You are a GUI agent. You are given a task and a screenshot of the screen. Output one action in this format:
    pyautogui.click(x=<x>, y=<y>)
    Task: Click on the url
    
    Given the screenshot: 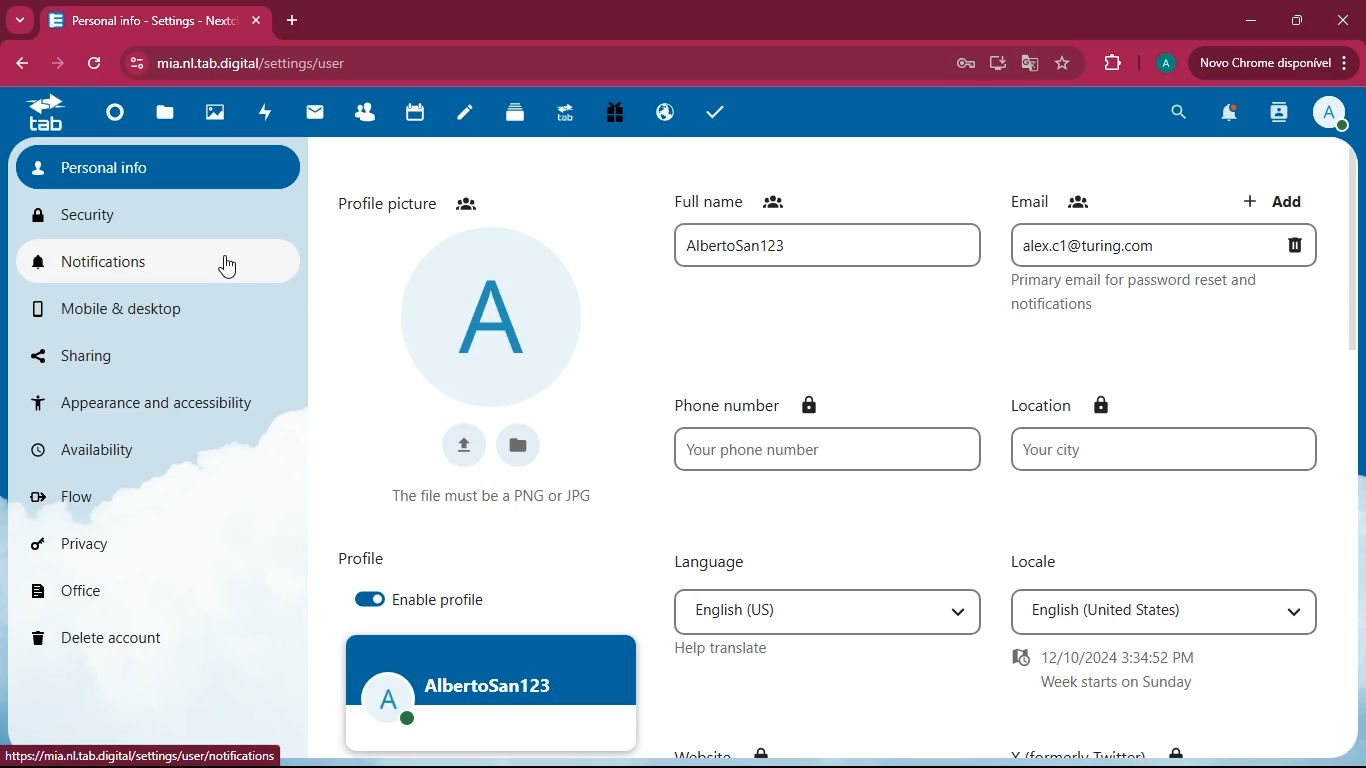 What is the action you would take?
    pyautogui.click(x=144, y=754)
    